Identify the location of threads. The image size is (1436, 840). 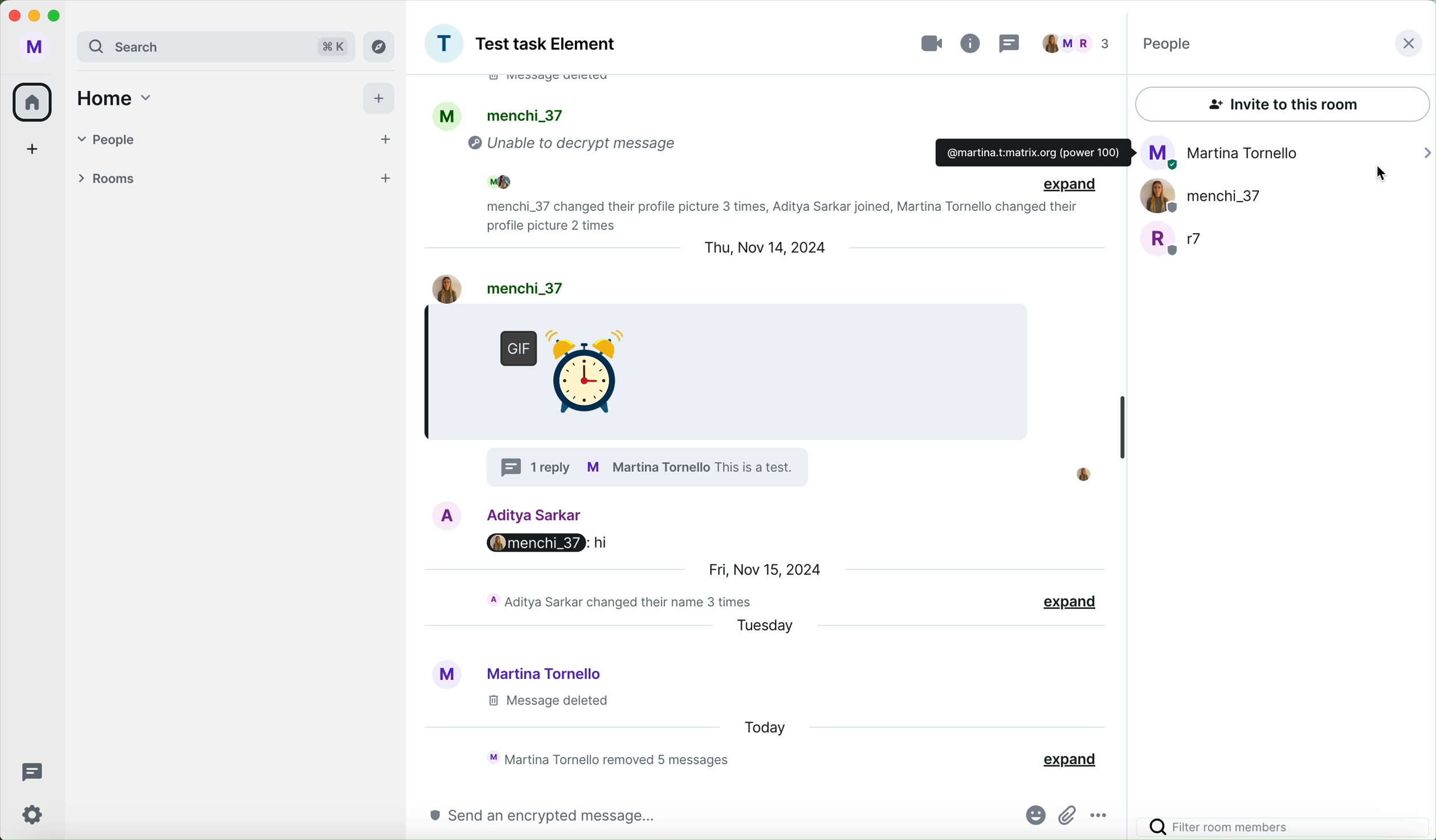
(1014, 43).